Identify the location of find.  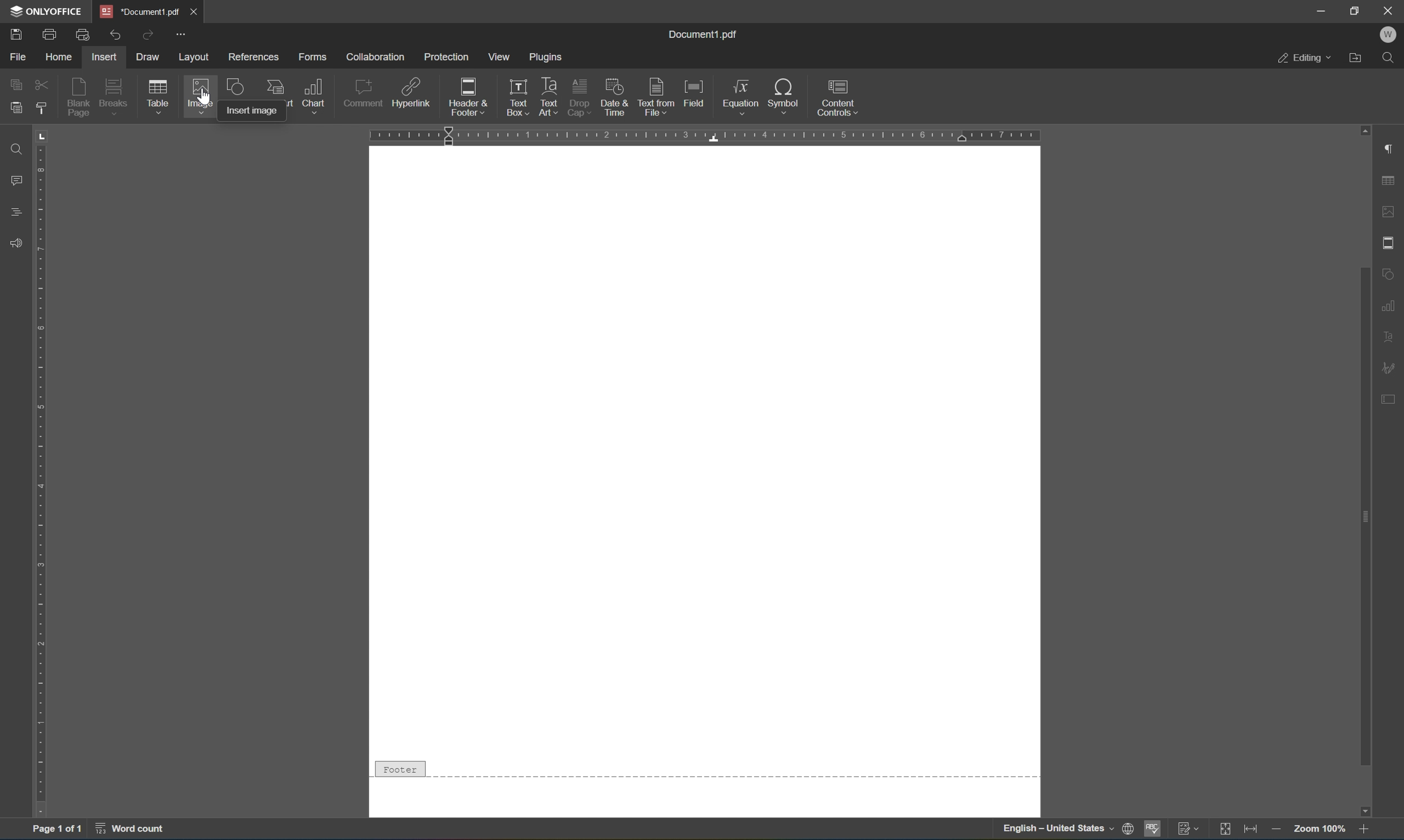
(17, 148).